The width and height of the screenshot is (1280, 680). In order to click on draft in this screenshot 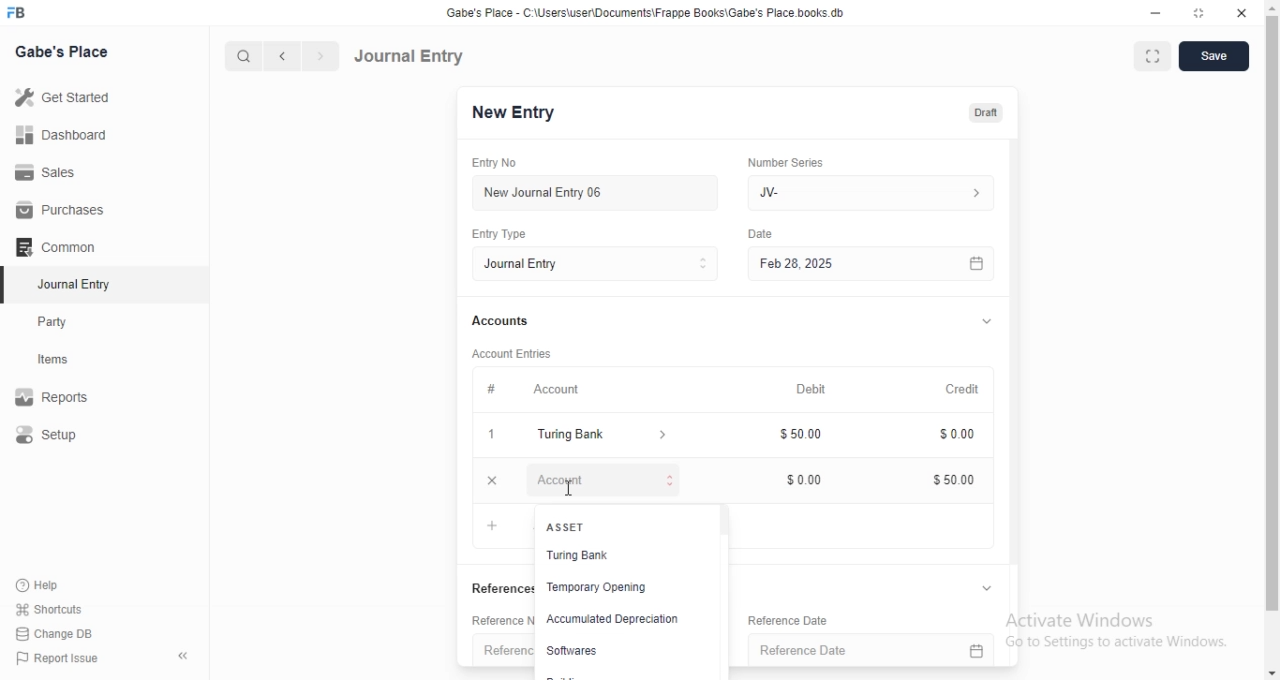, I will do `click(988, 114)`.